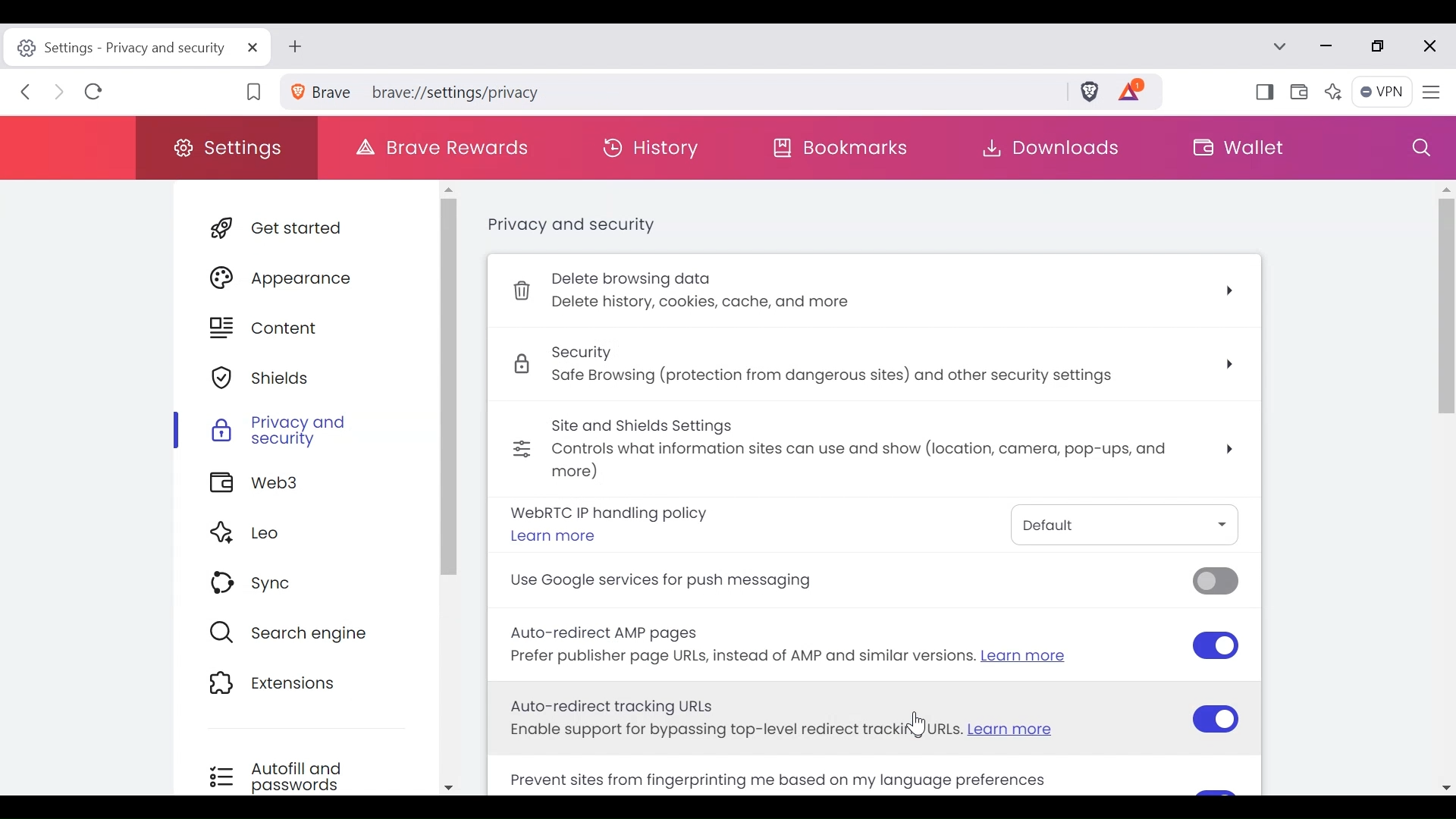 This screenshot has height=819, width=1456. Describe the element at coordinates (568, 226) in the screenshot. I see `privacy and security` at that location.